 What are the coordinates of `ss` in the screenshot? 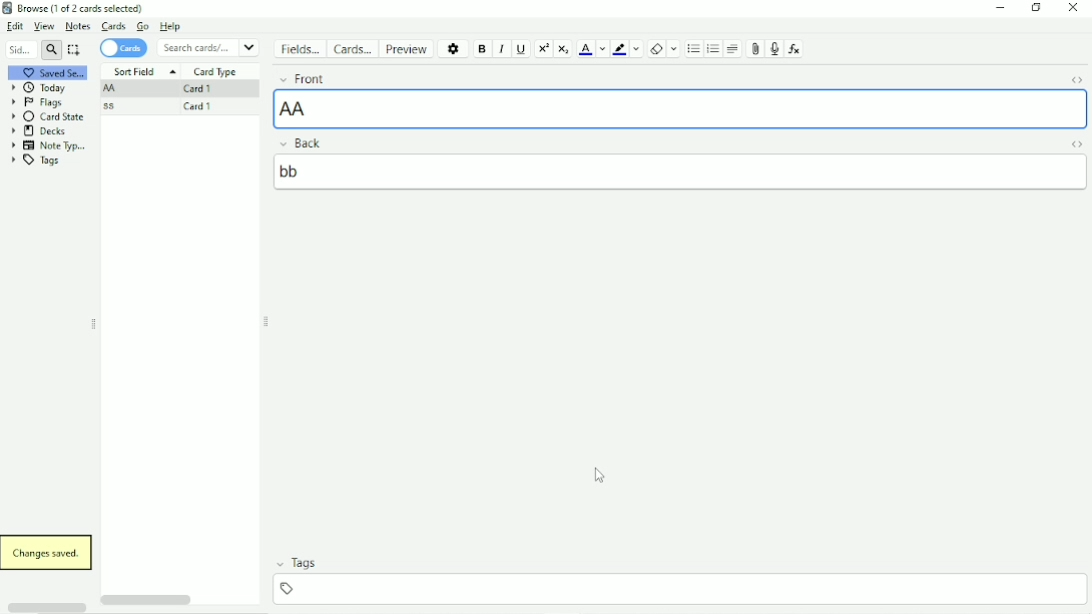 It's located at (114, 106).